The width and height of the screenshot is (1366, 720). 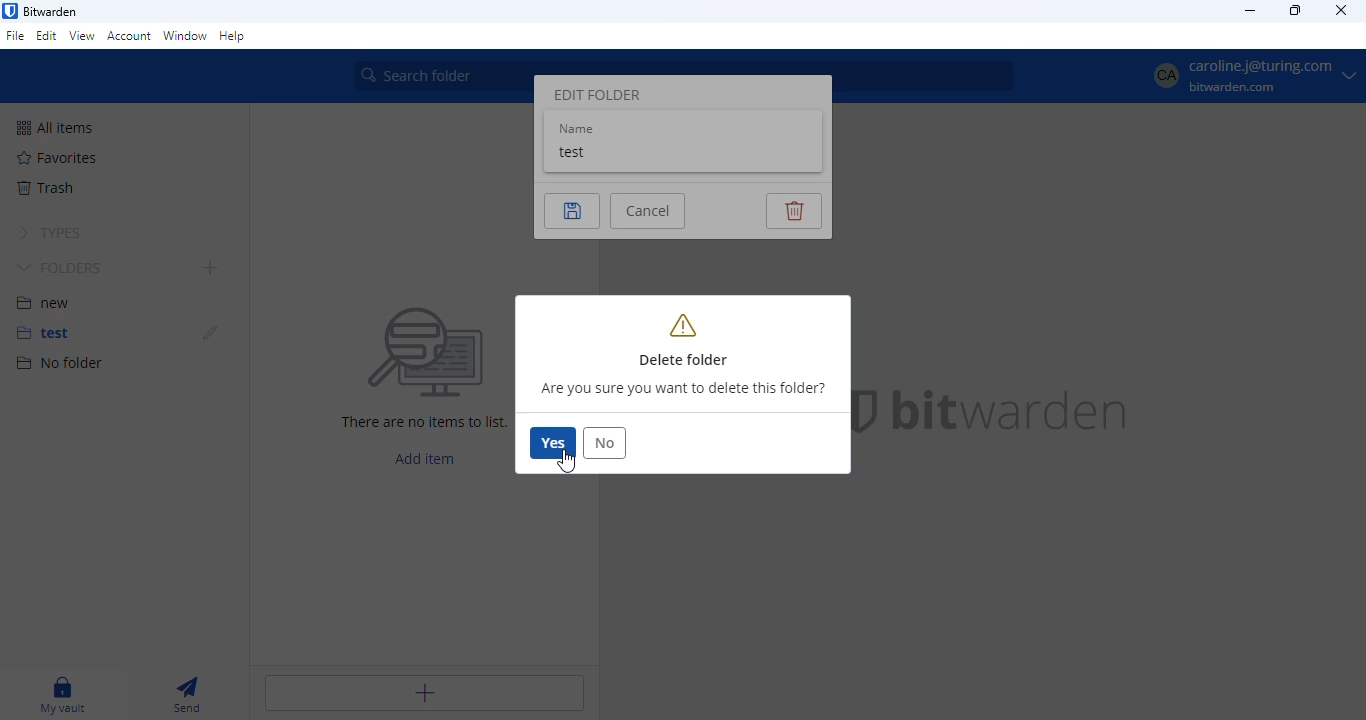 What do you see at coordinates (604, 443) in the screenshot?
I see `no` at bounding box center [604, 443].